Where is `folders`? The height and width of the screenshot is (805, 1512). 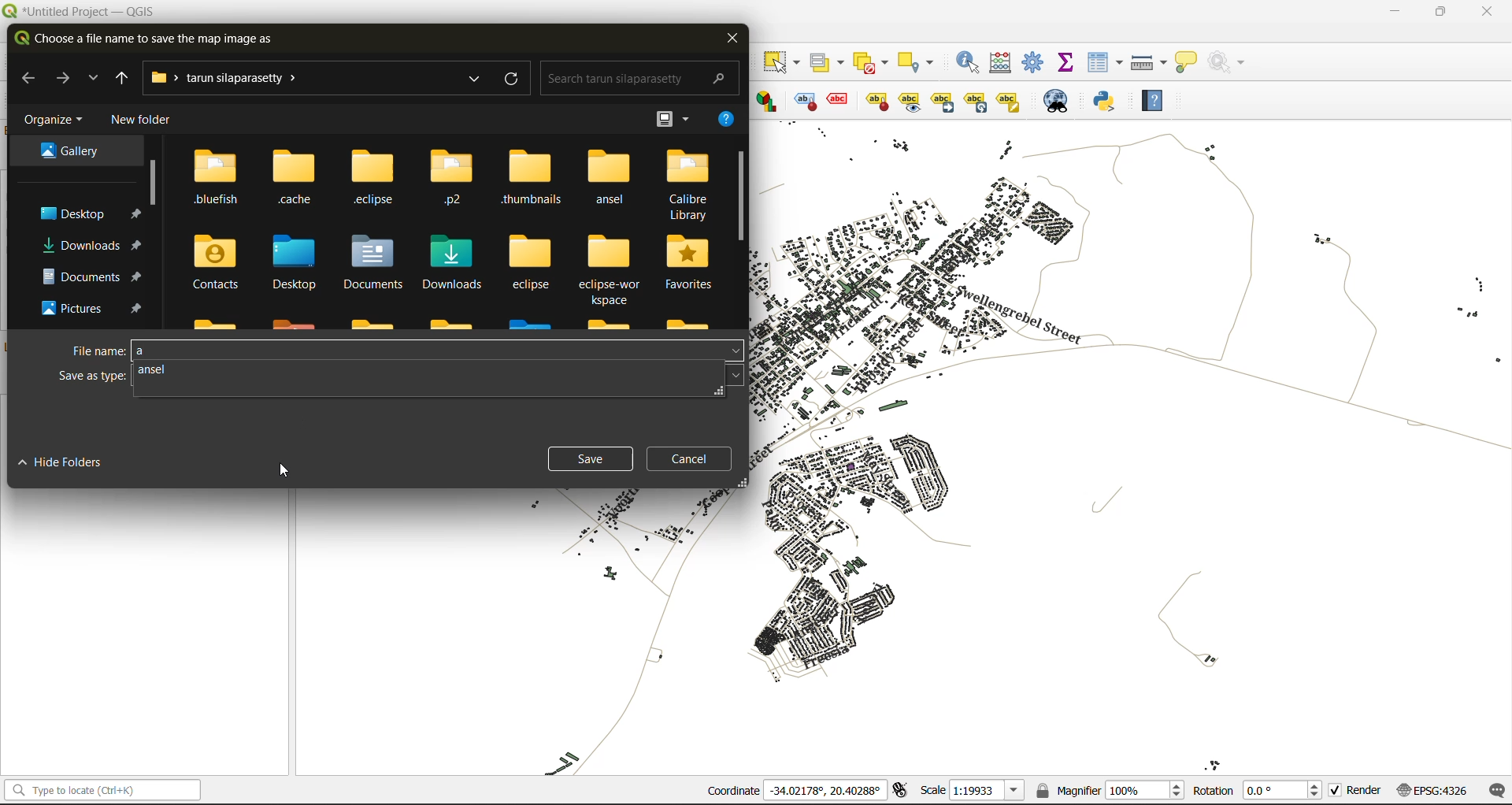 folders is located at coordinates (453, 236).